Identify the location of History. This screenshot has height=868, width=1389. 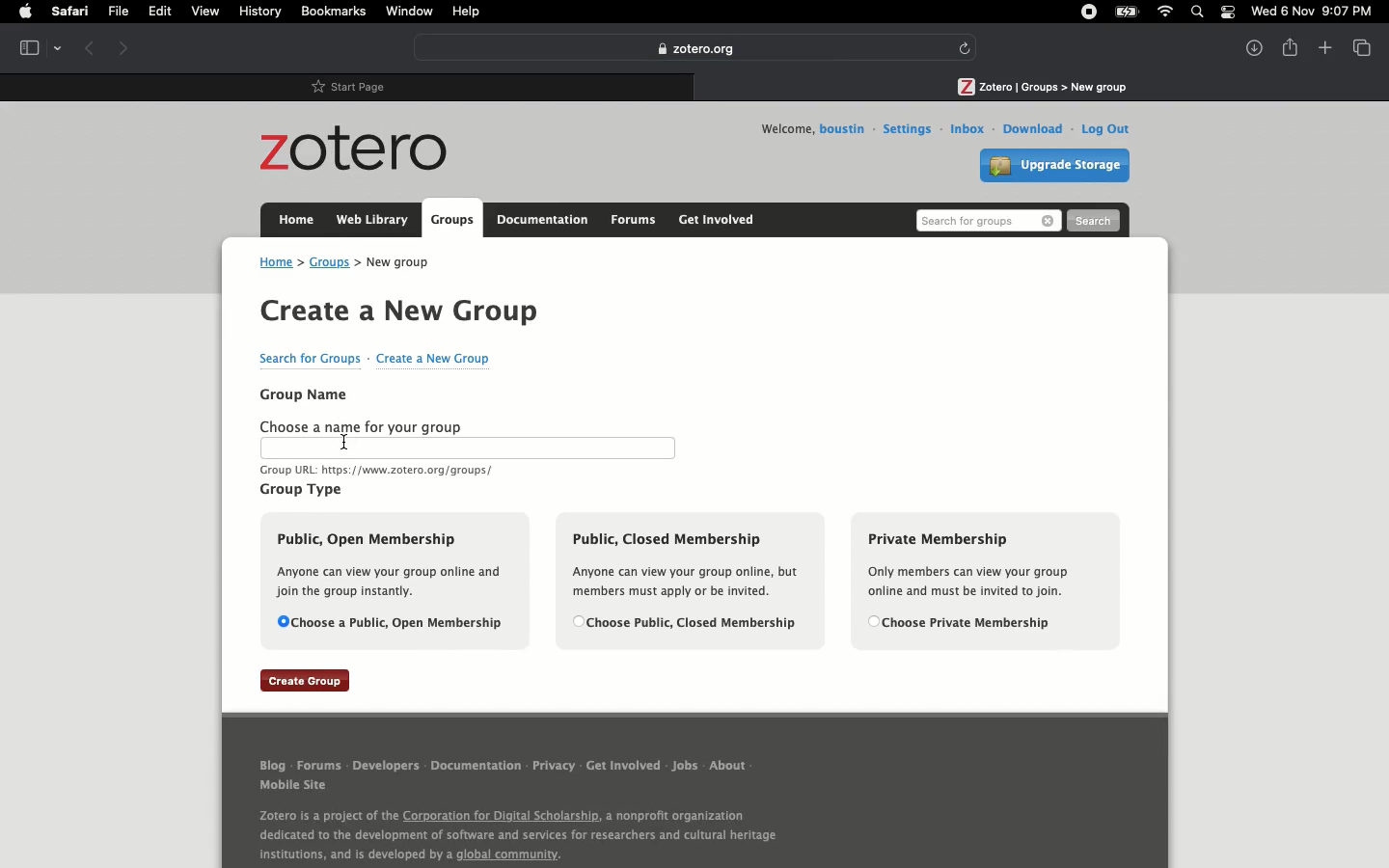
(259, 13).